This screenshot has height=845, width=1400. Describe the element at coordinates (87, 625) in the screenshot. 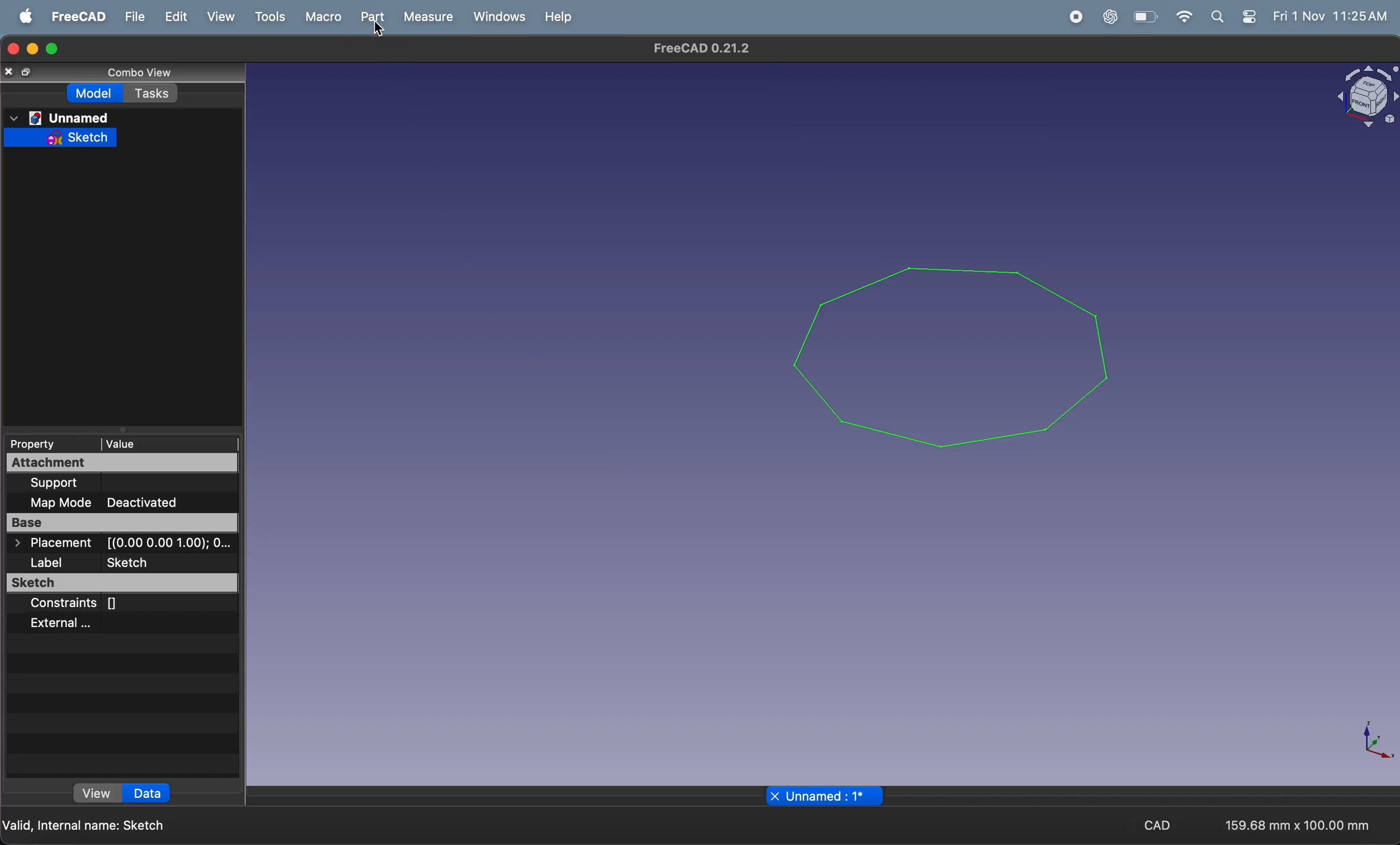

I see `external` at that location.